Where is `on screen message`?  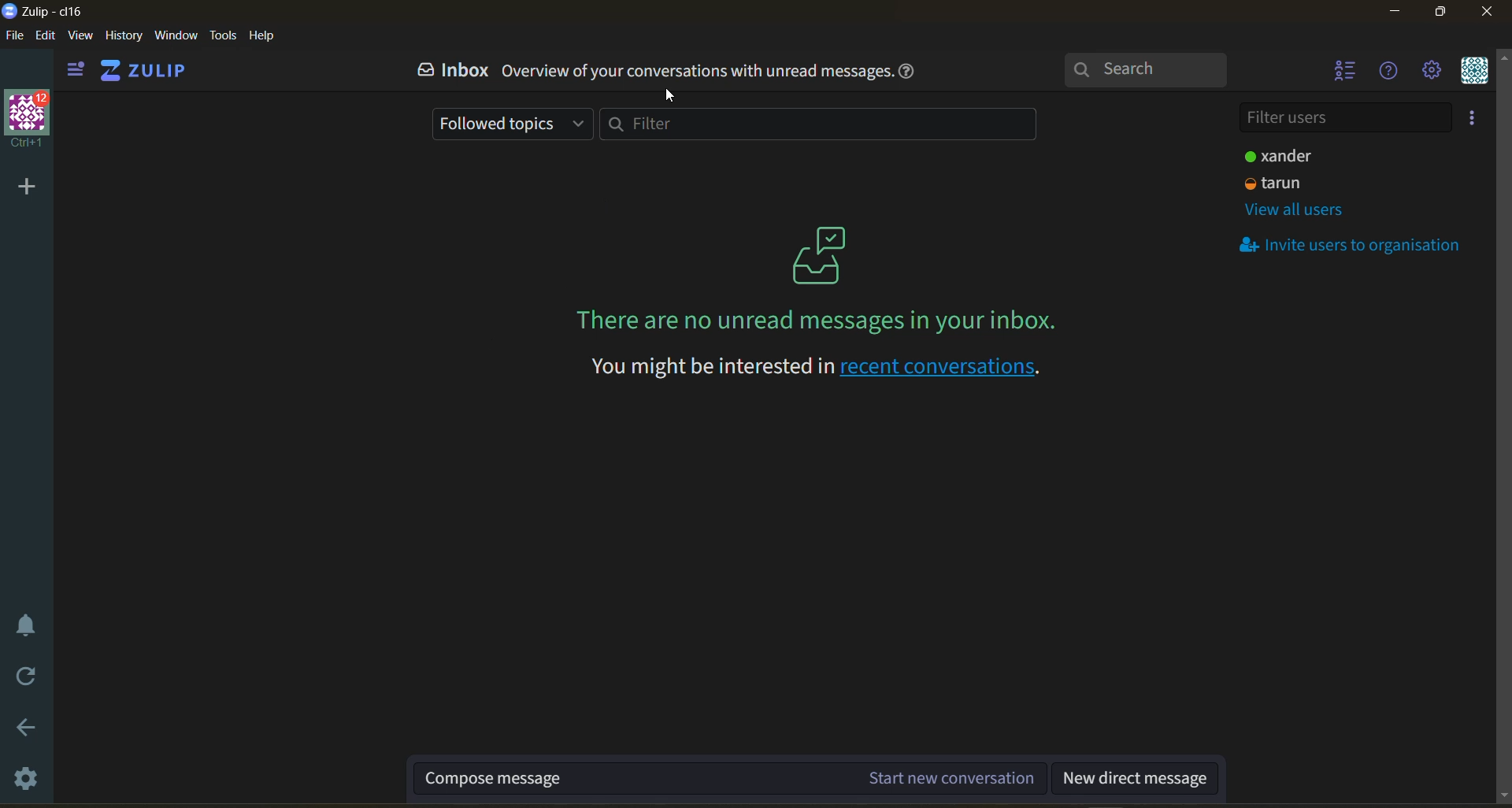
on screen message is located at coordinates (813, 277).